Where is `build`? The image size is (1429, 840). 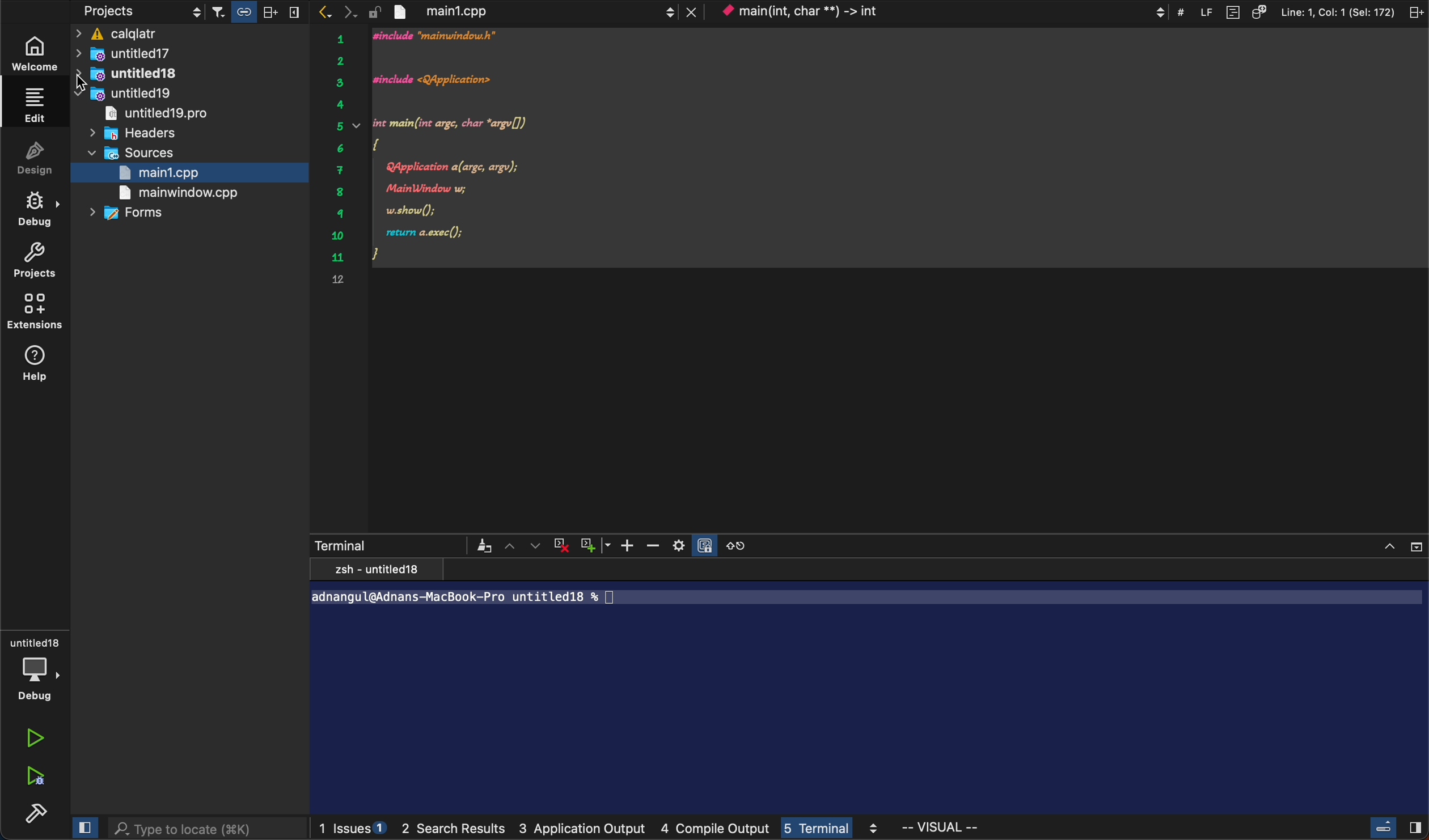 build is located at coordinates (36, 812).